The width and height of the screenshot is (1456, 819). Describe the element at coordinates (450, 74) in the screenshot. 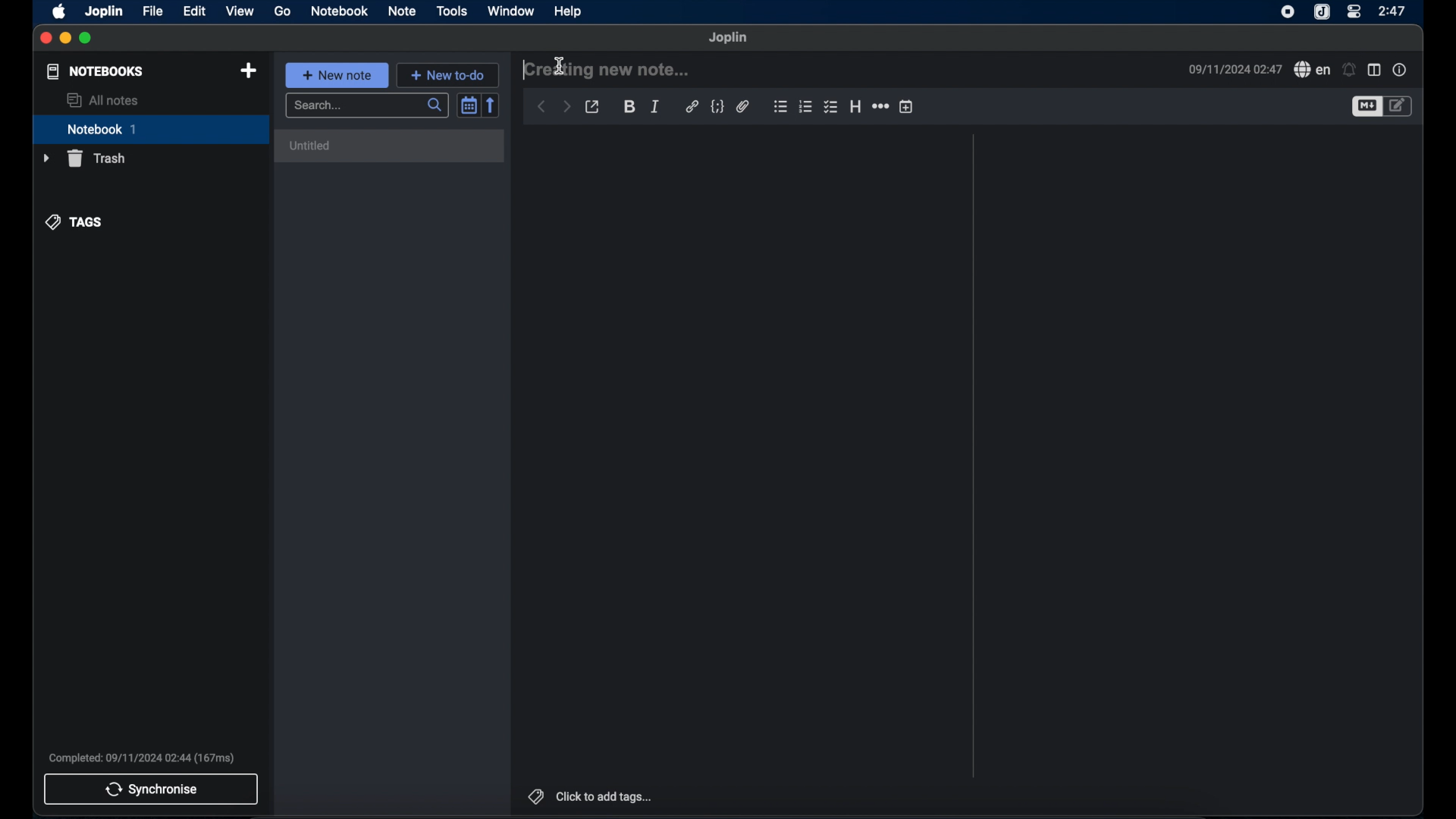

I see `new to-do` at that location.